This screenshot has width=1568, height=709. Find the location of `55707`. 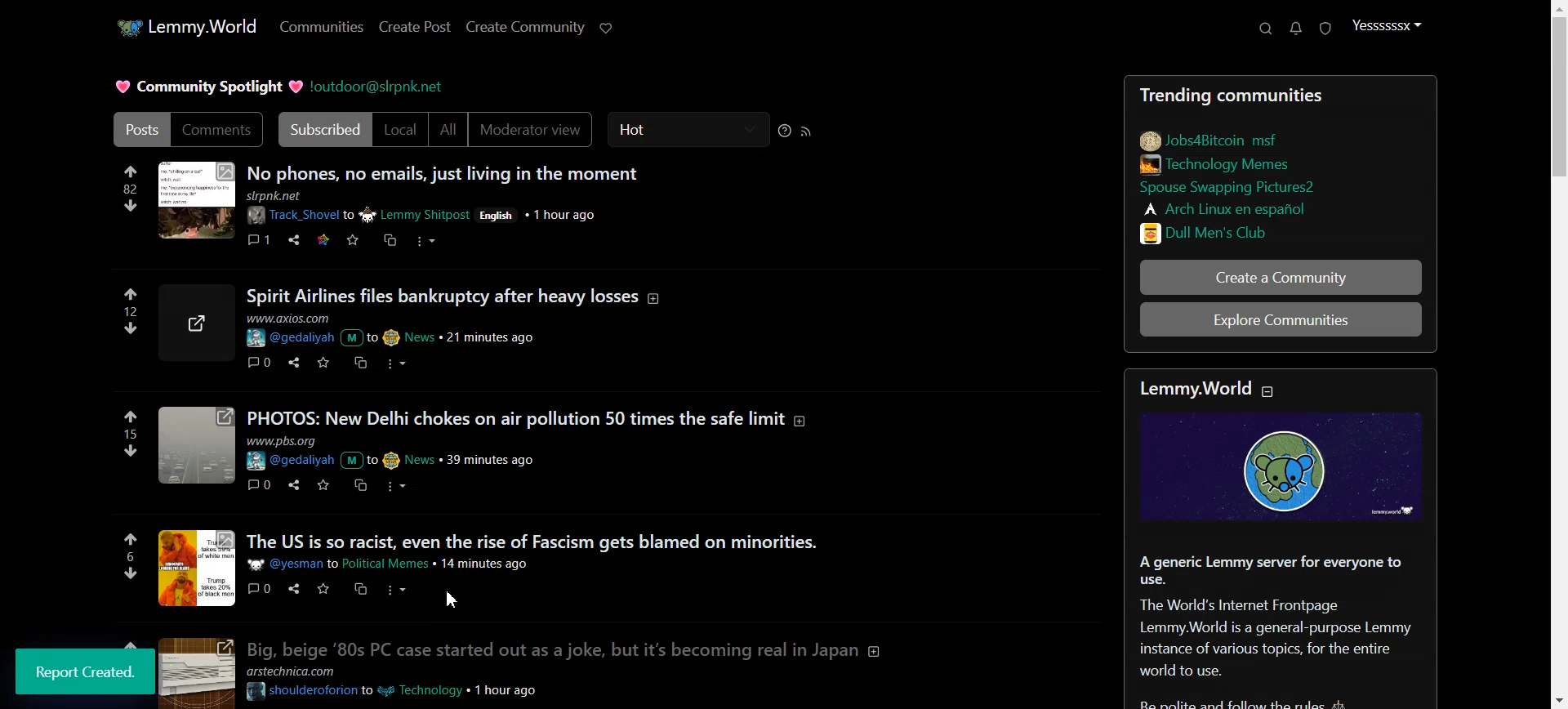

55707 is located at coordinates (132, 326).